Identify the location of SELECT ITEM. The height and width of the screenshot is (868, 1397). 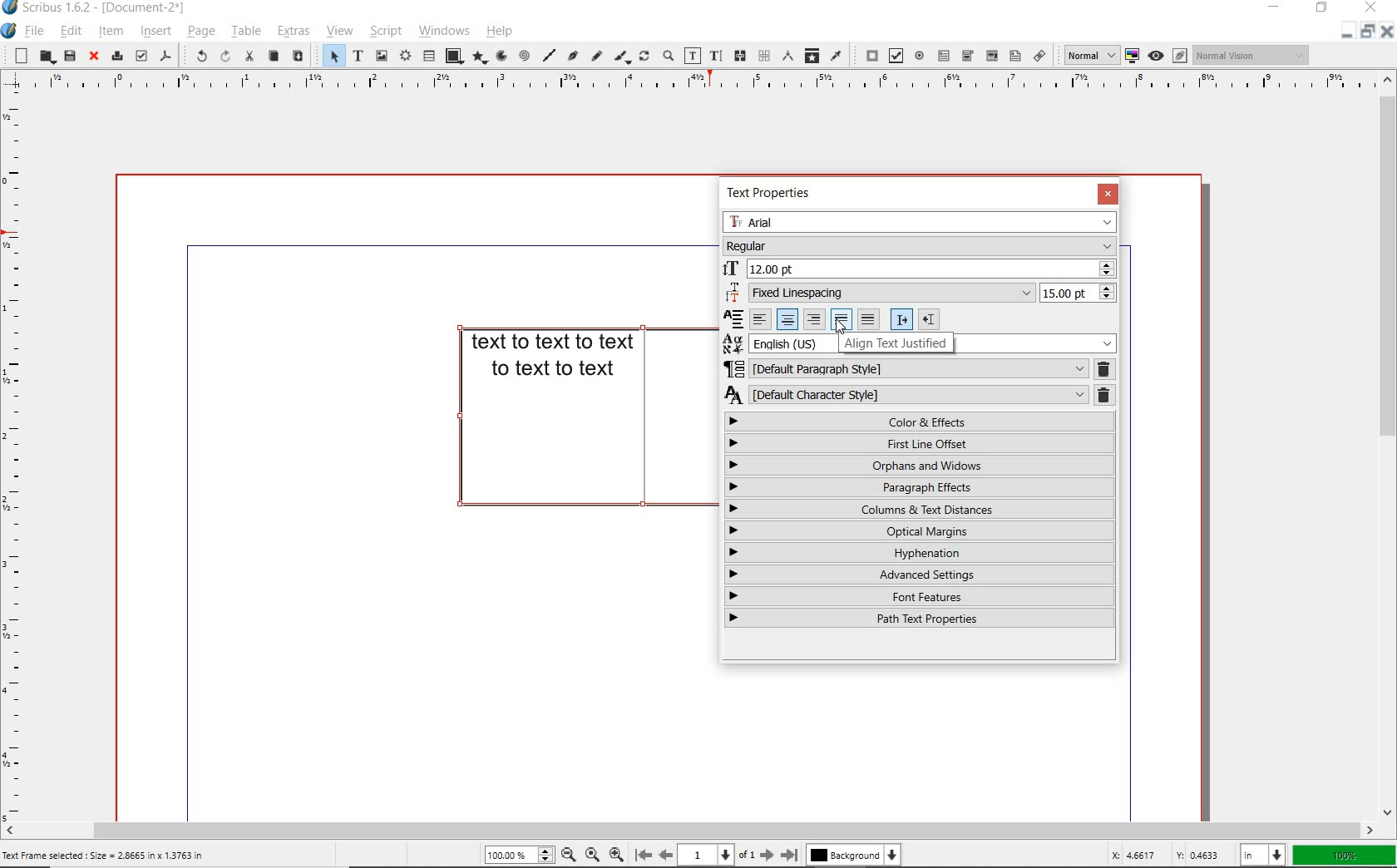
(329, 57).